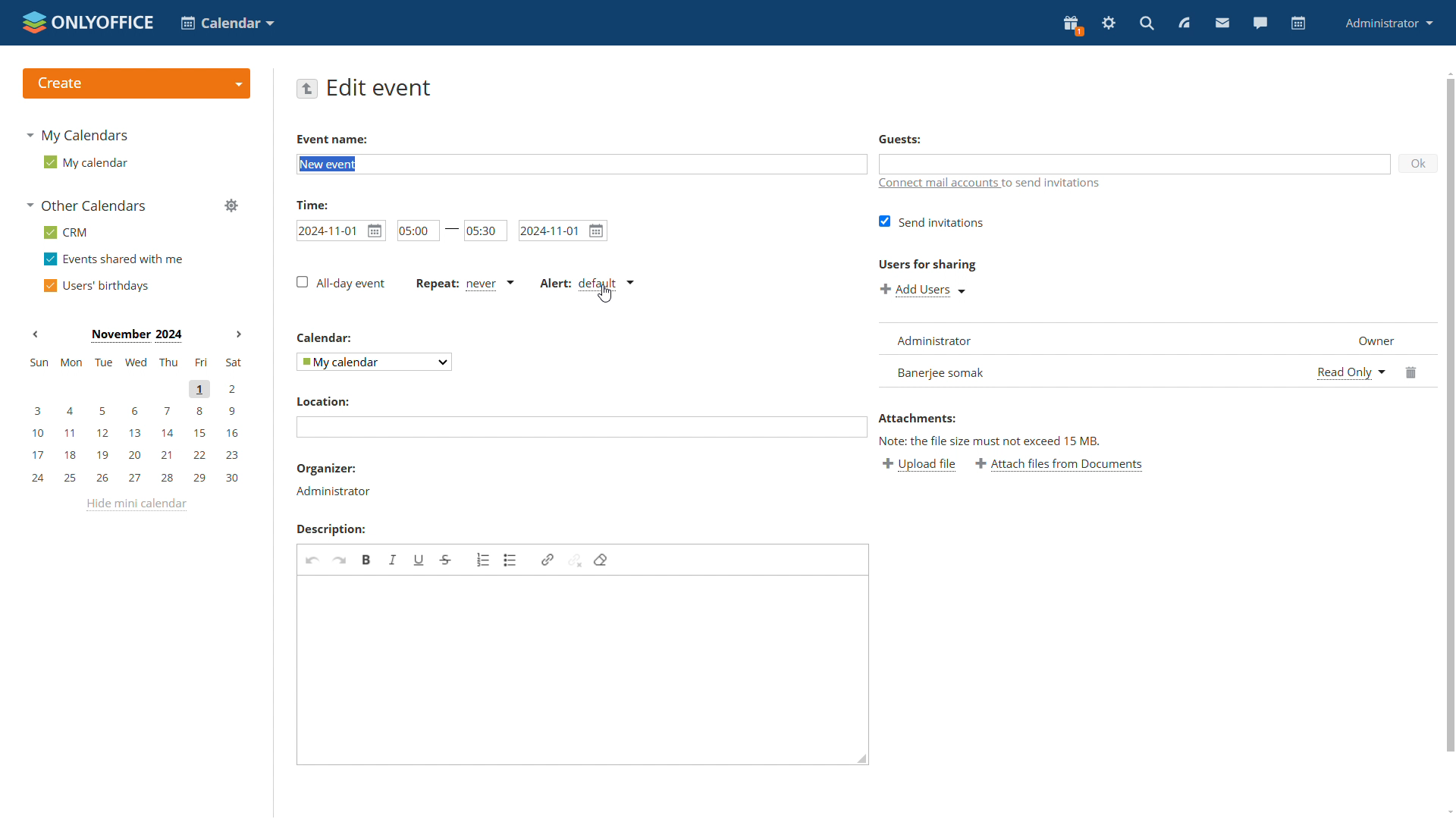 This screenshot has width=1456, height=819. I want to click on , so click(325, 337).